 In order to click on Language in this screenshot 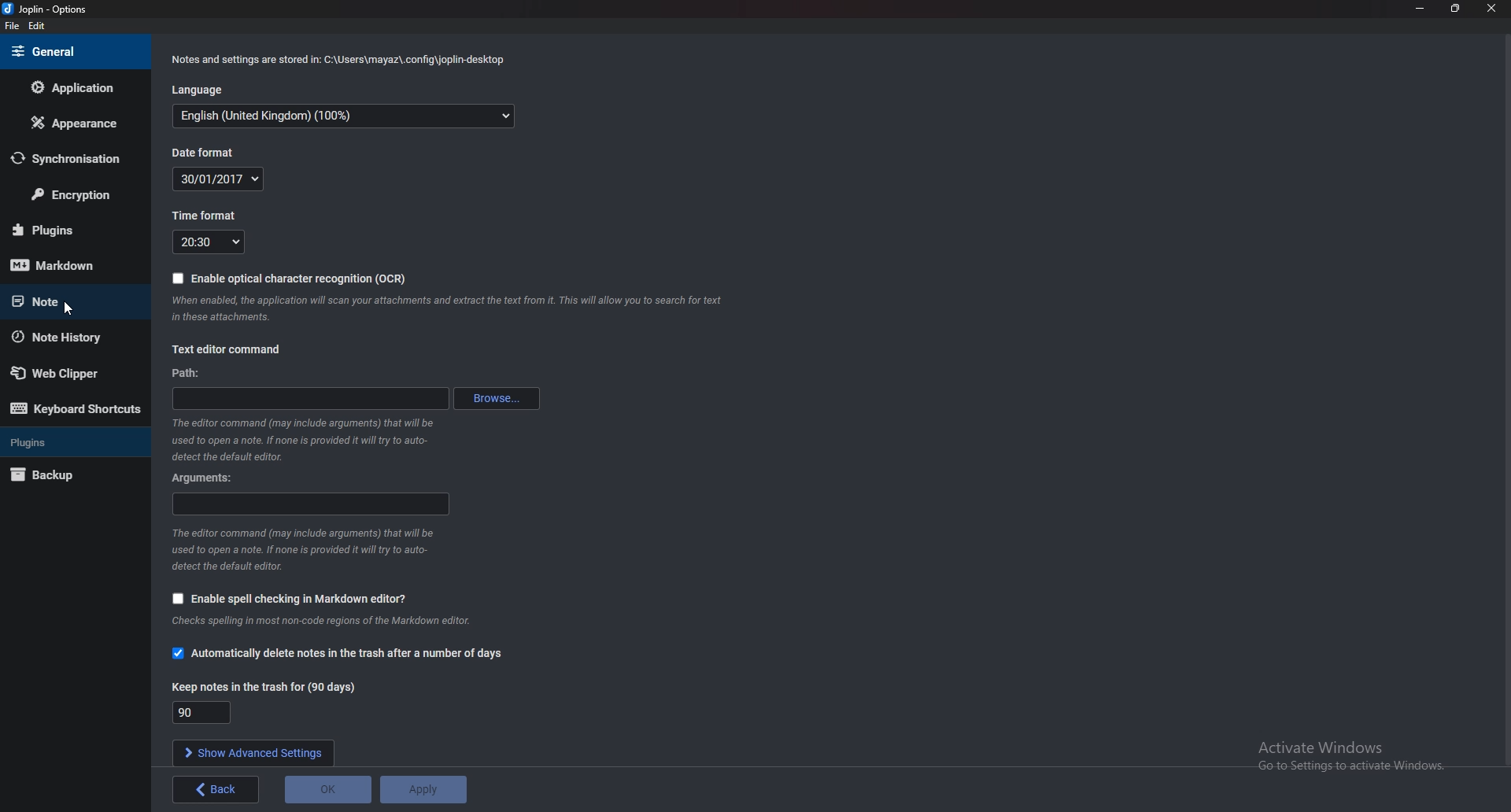, I will do `click(343, 116)`.